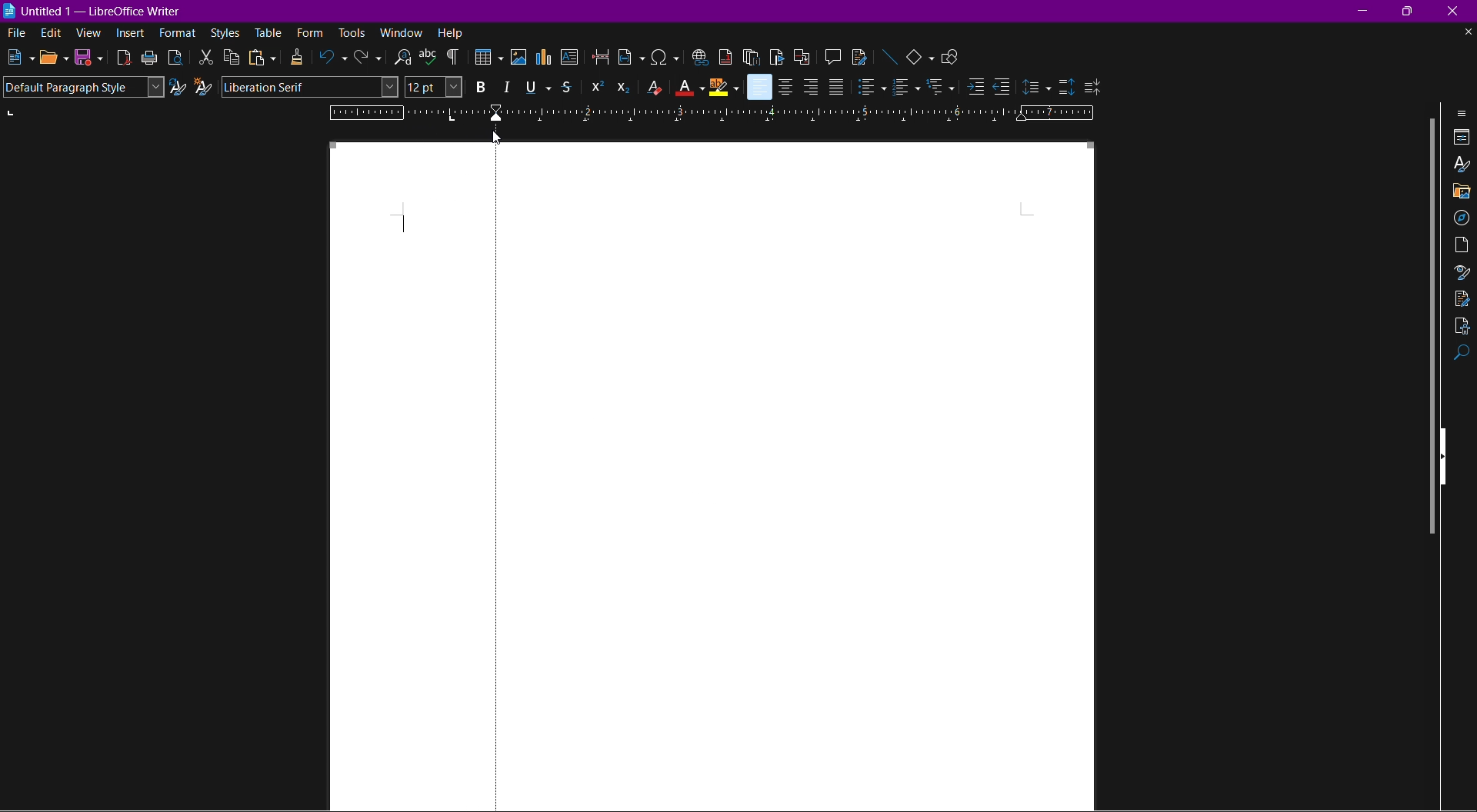 The image size is (1477, 812). What do you see at coordinates (124, 58) in the screenshot?
I see `Export as PDF` at bounding box center [124, 58].